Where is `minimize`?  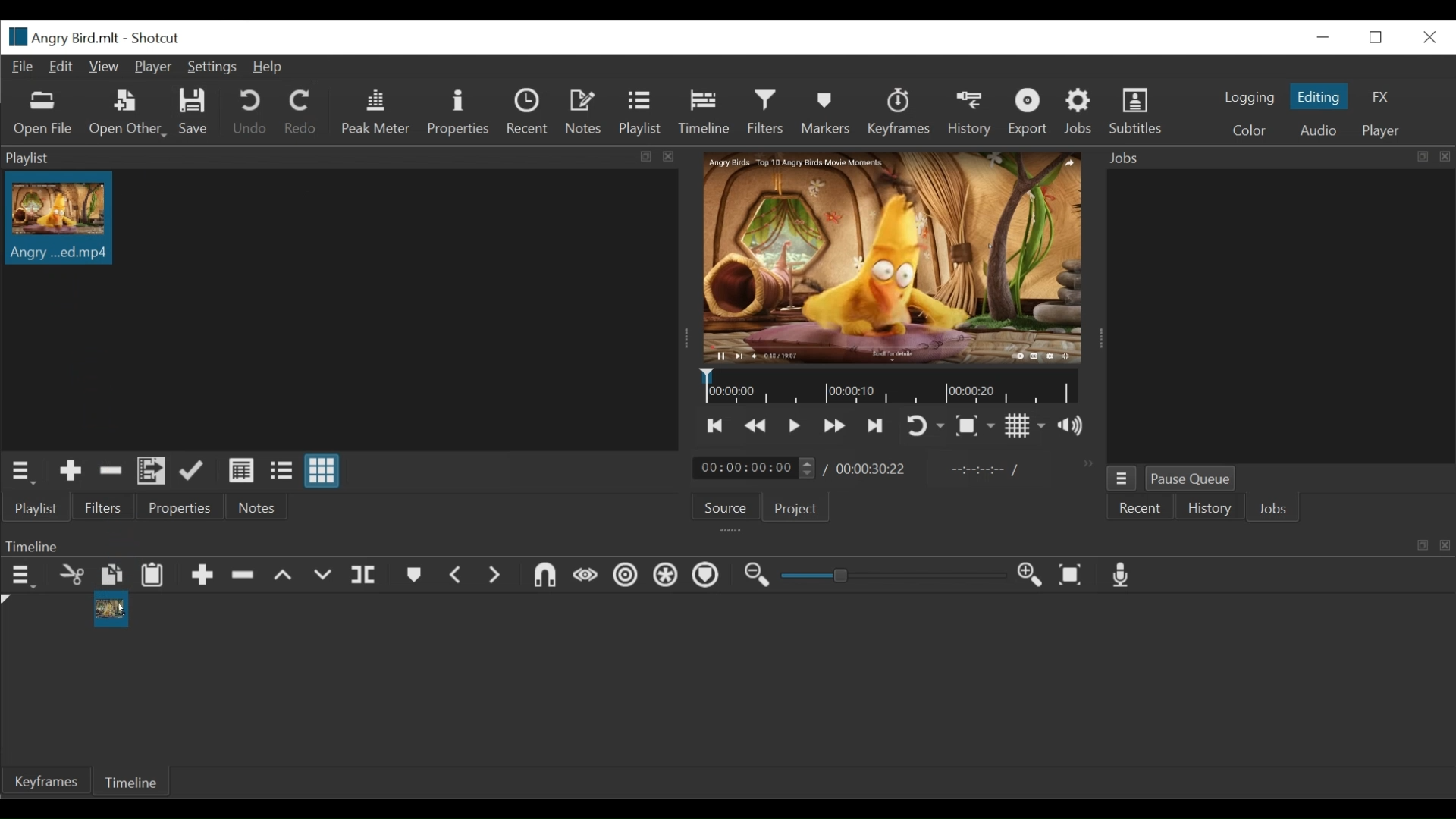
minimize is located at coordinates (1323, 39).